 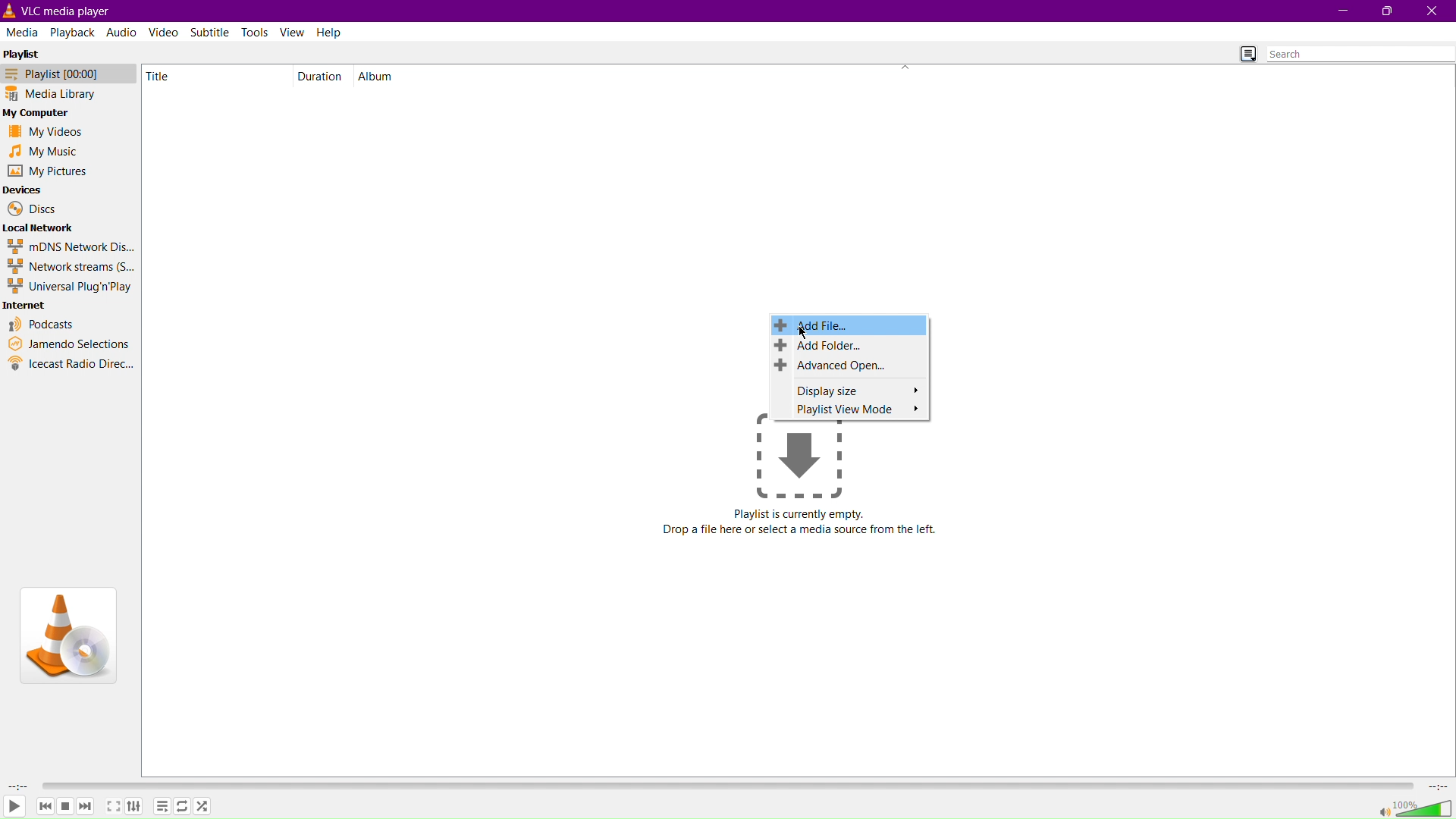 I want to click on Playlist, so click(x=64, y=74).